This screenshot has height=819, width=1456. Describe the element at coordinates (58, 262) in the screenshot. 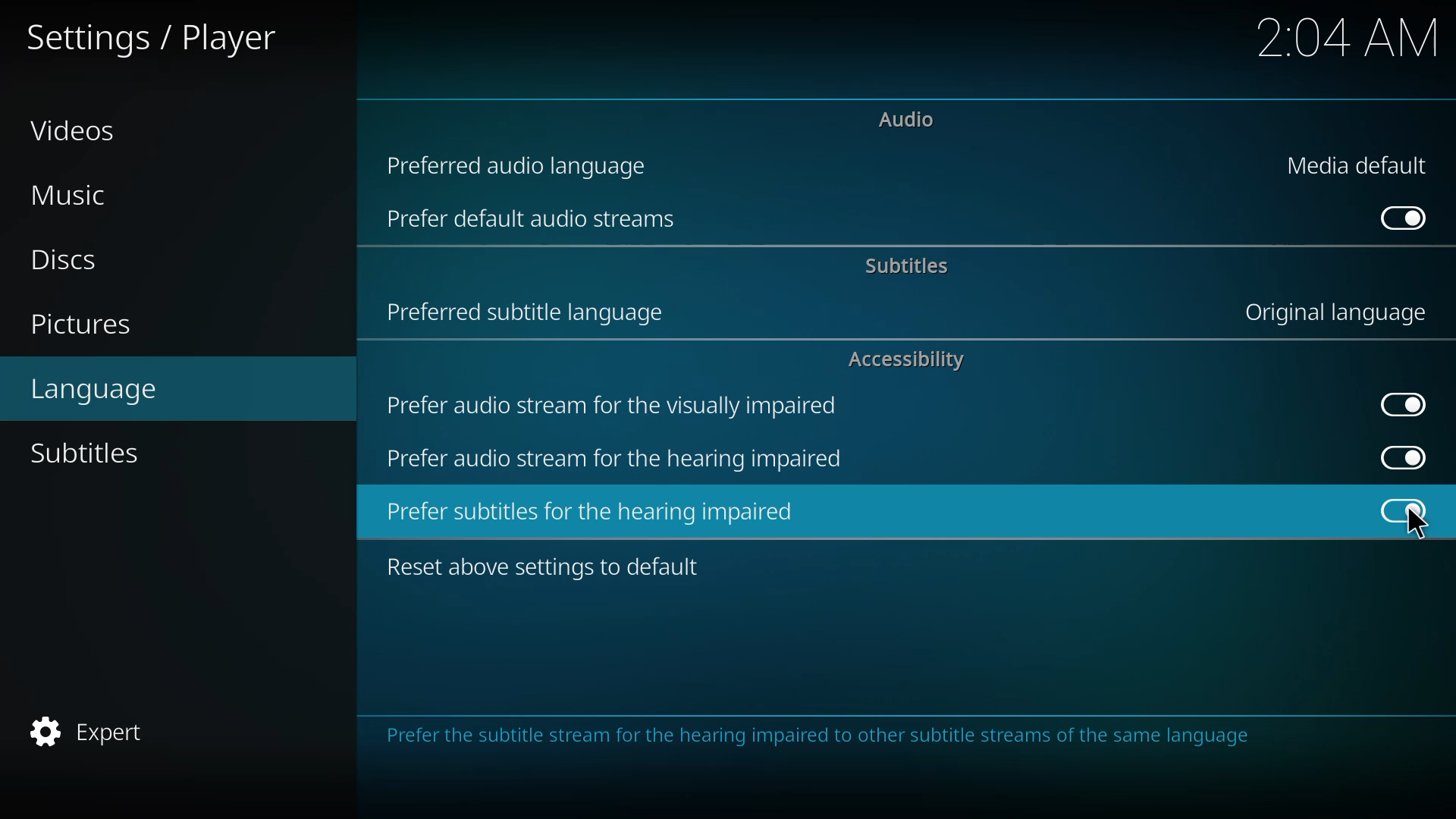

I see `discs` at that location.